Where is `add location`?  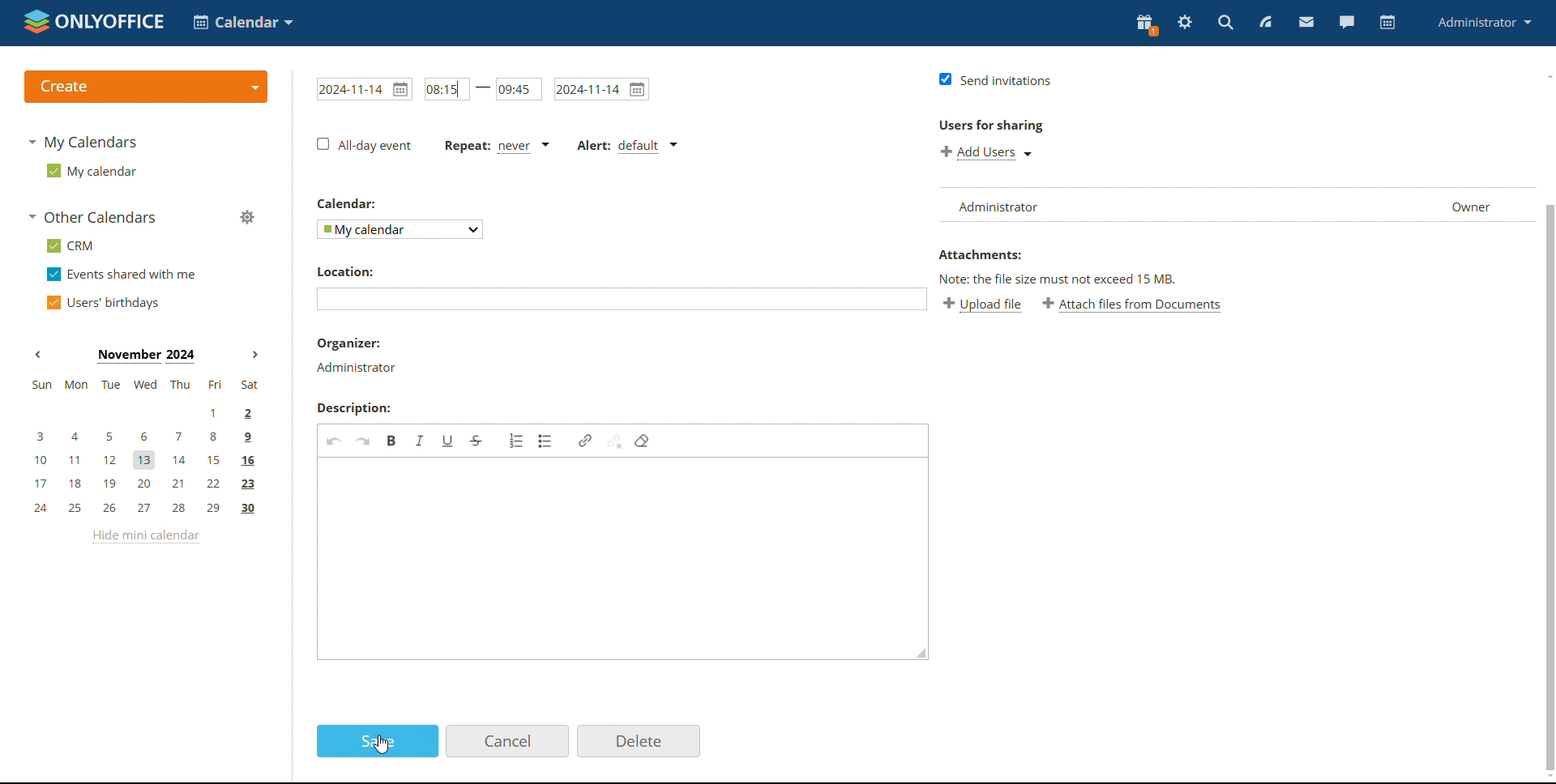
add location is located at coordinates (622, 300).